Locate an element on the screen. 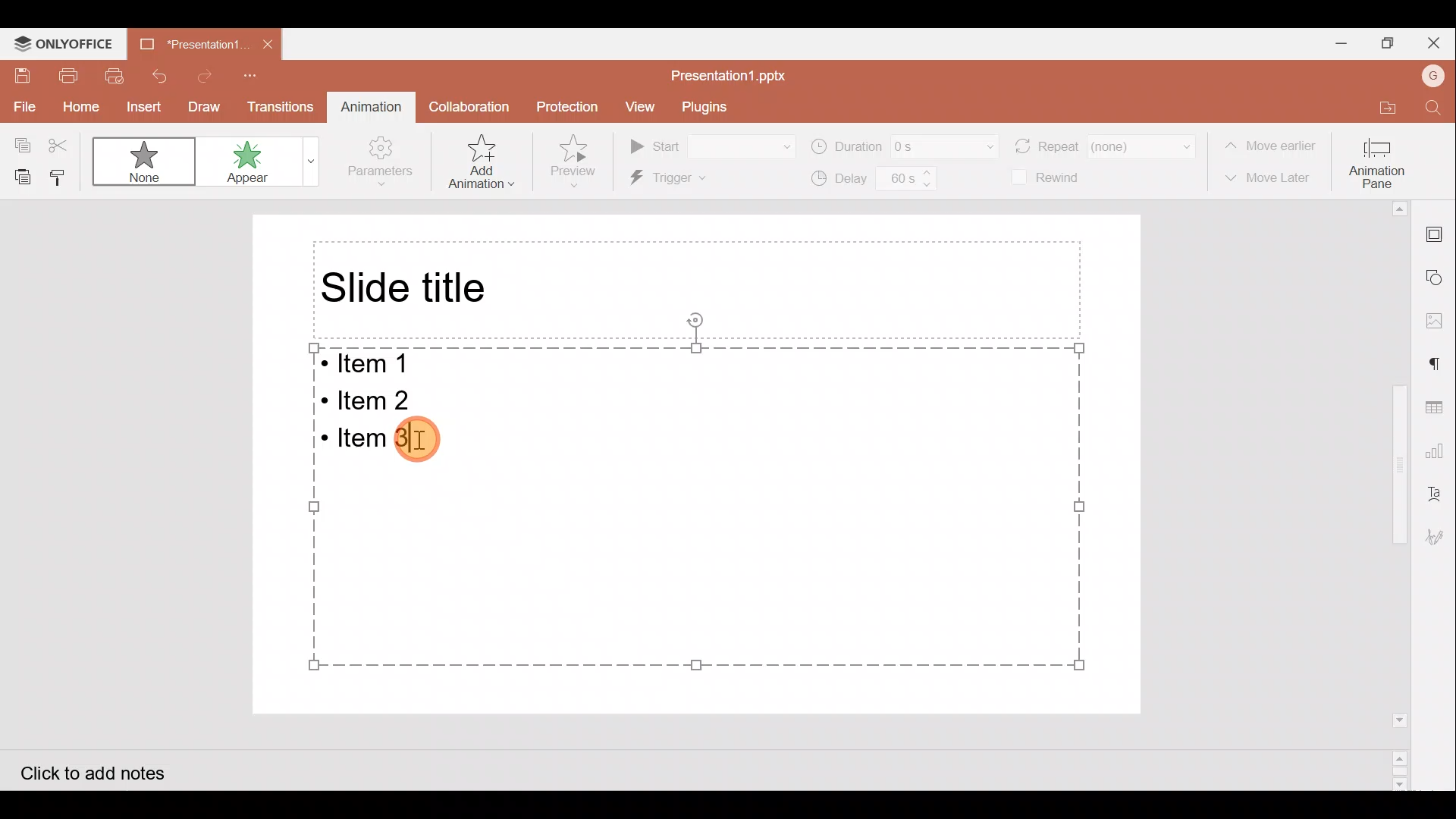 Image resolution: width=1456 pixels, height=819 pixels. Trigger is located at coordinates (698, 179).